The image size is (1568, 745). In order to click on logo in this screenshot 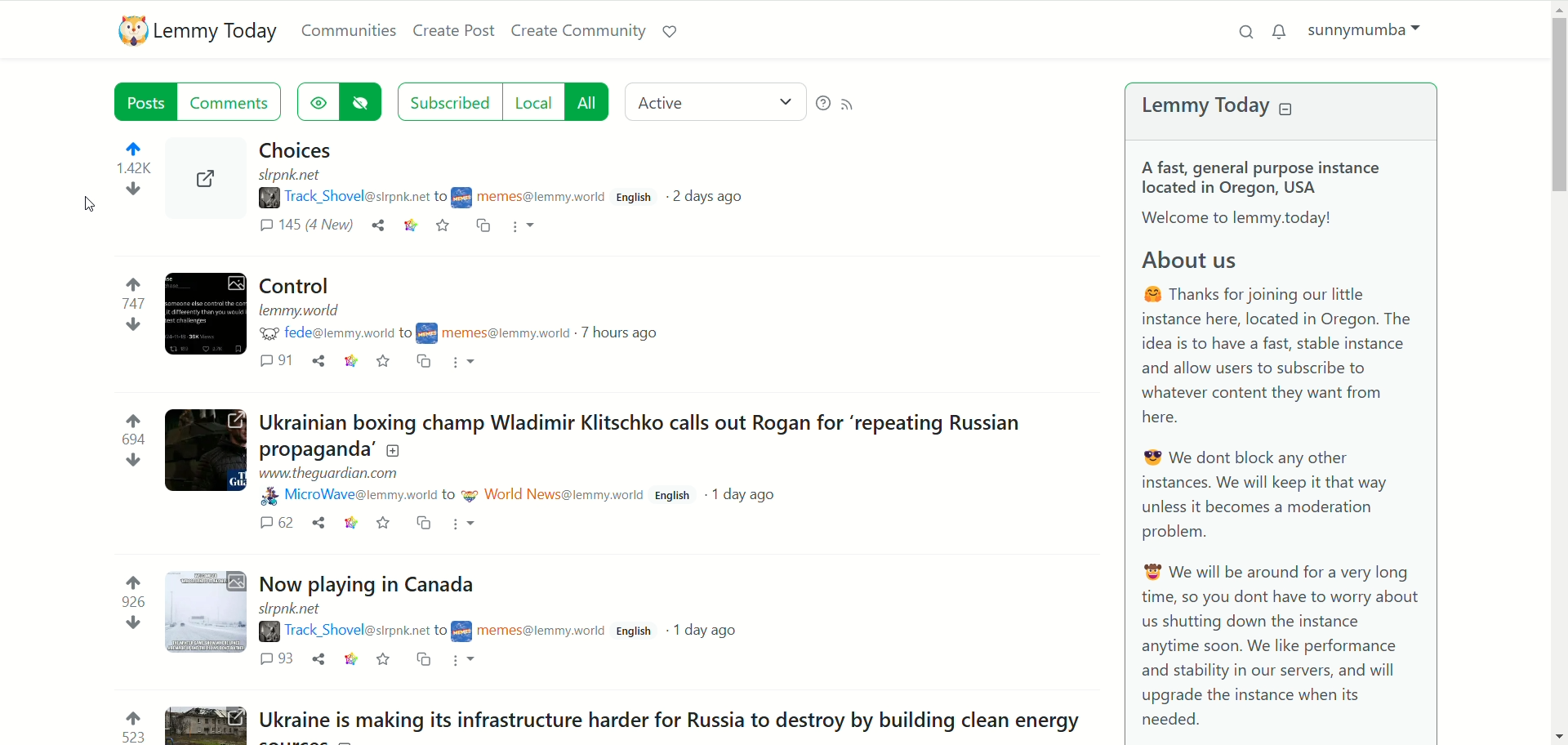, I will do `click(130, 31)`.